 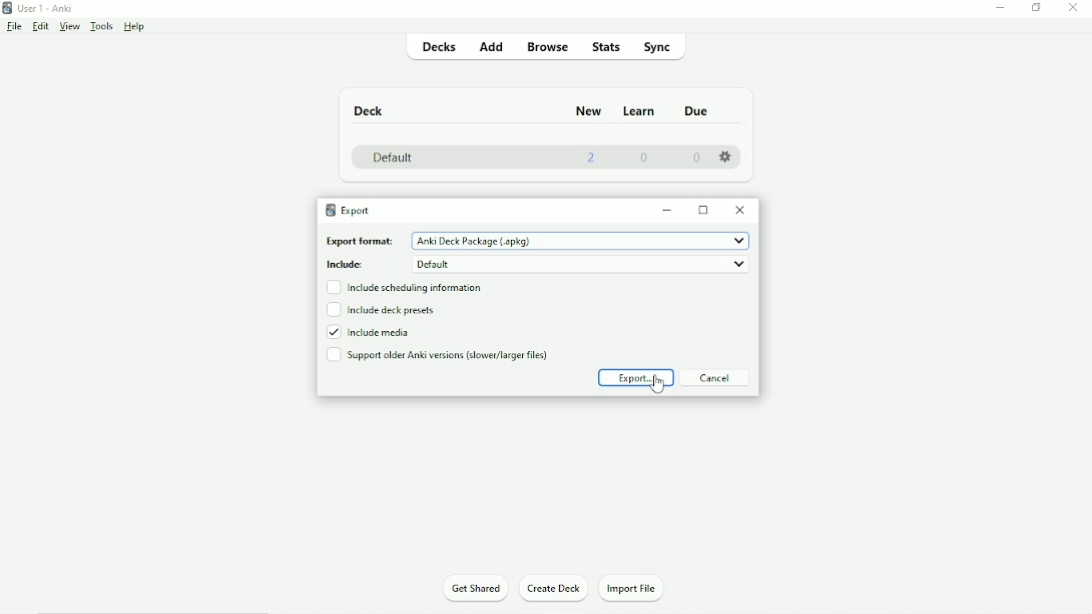 I want to click on Minimize, so click(x=998, y=8).